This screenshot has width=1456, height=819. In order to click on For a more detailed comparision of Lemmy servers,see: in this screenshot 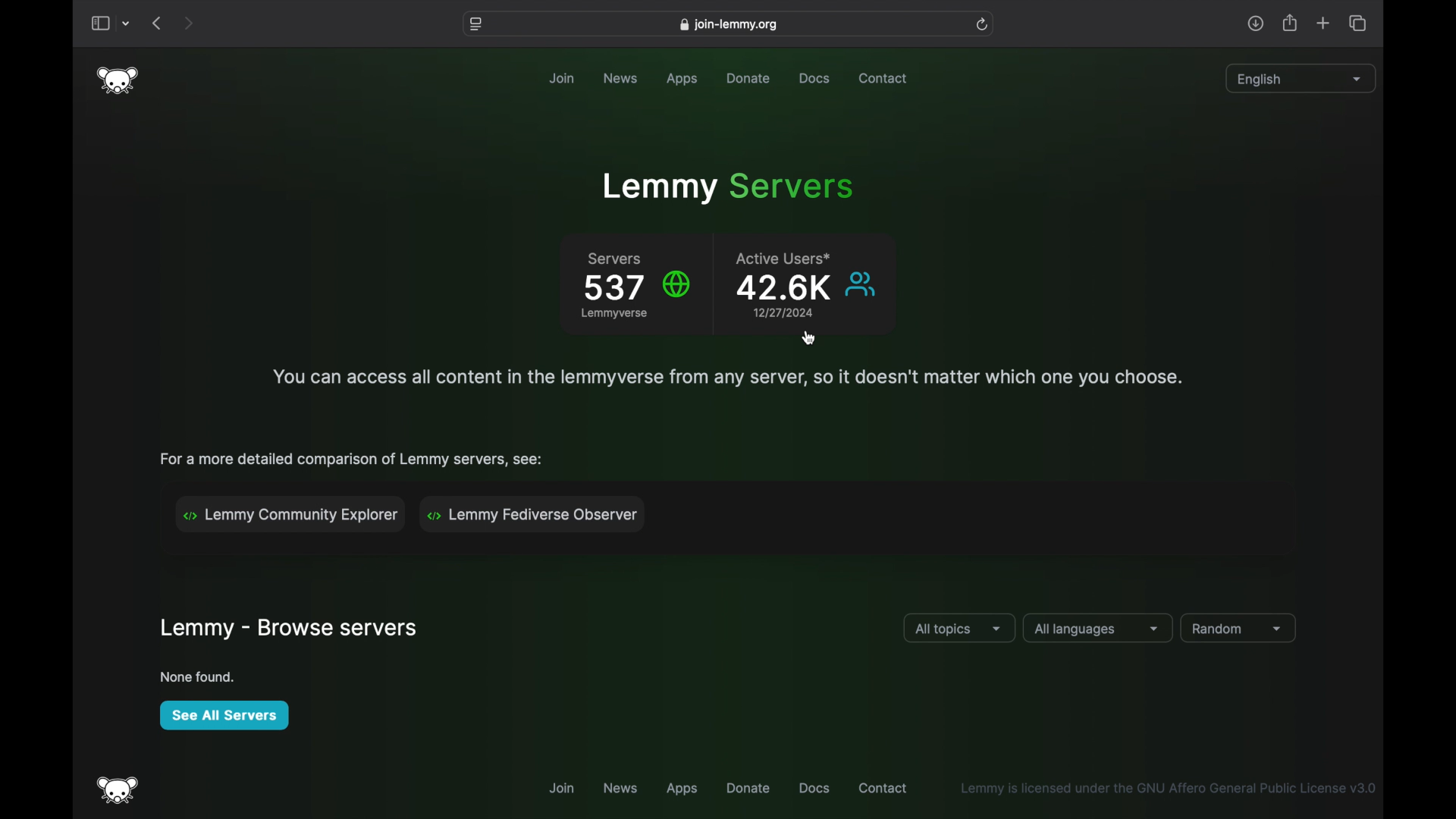, I will do `click(354, 459)`.